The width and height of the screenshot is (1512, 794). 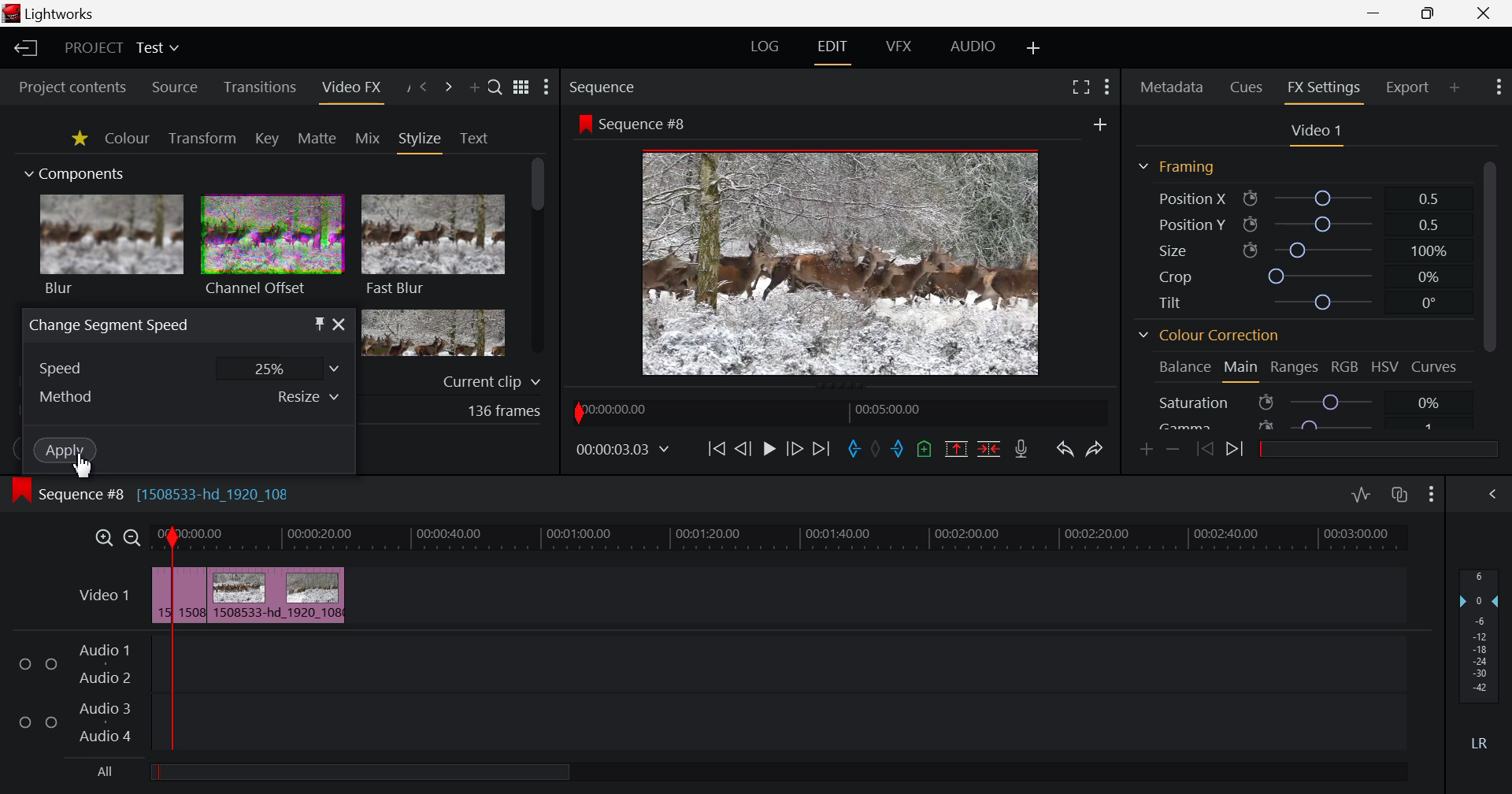 What do you see at coordinates (1173, 449) in the screenshot?
I see `Remove keyframe` at bounding box center [1173, 449].